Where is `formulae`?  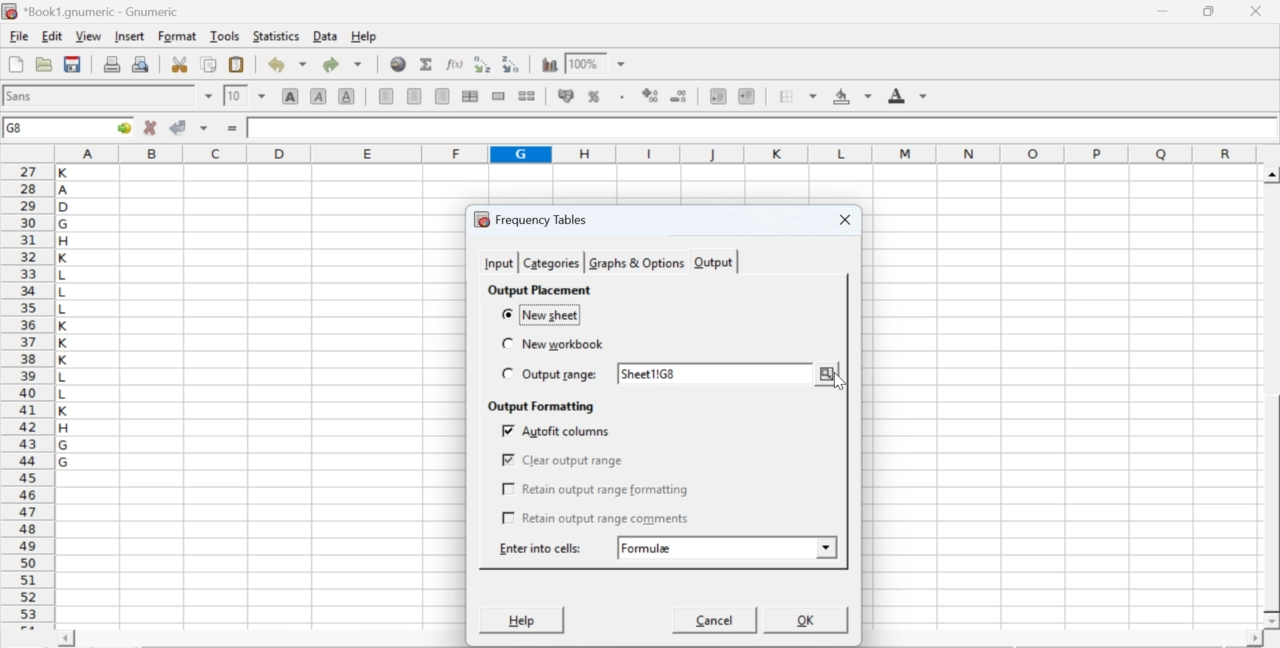 formulae is located at coordinates (648, 548).